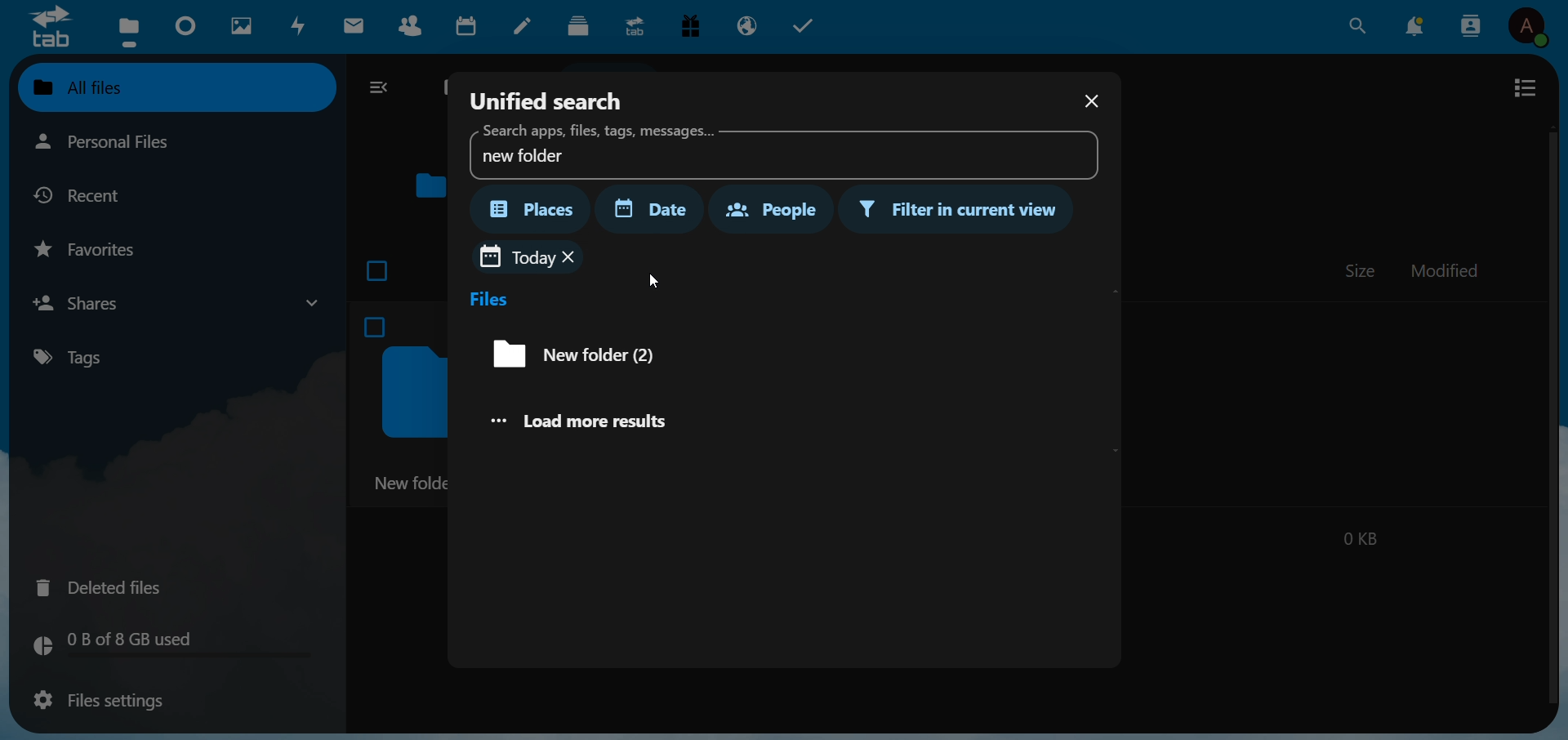 Image resolution: width=1568 pixels, height=740 pixels. I want to click on recent, so click(91, 194).